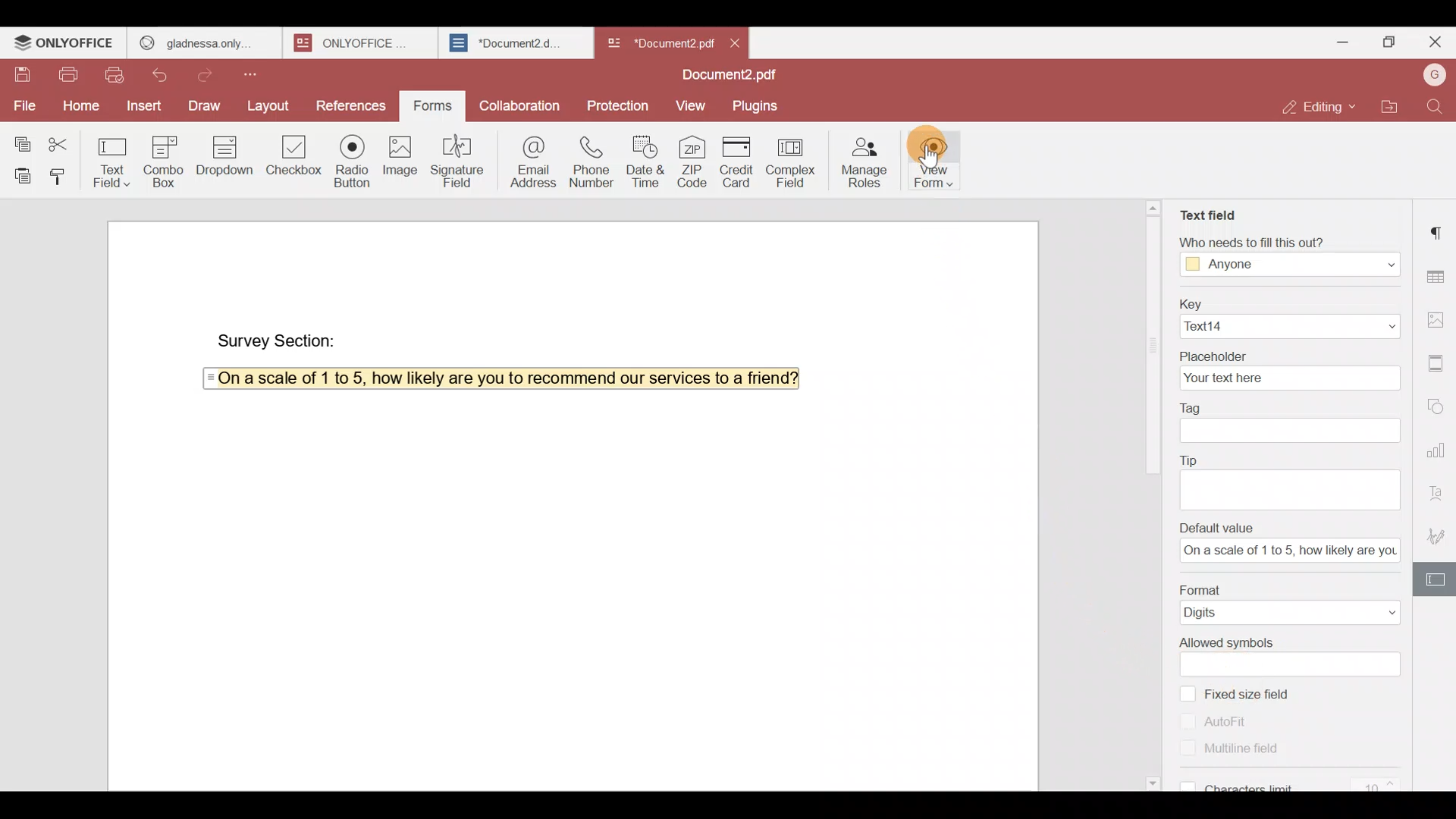  I want to click on Layout, so click(269, 102).